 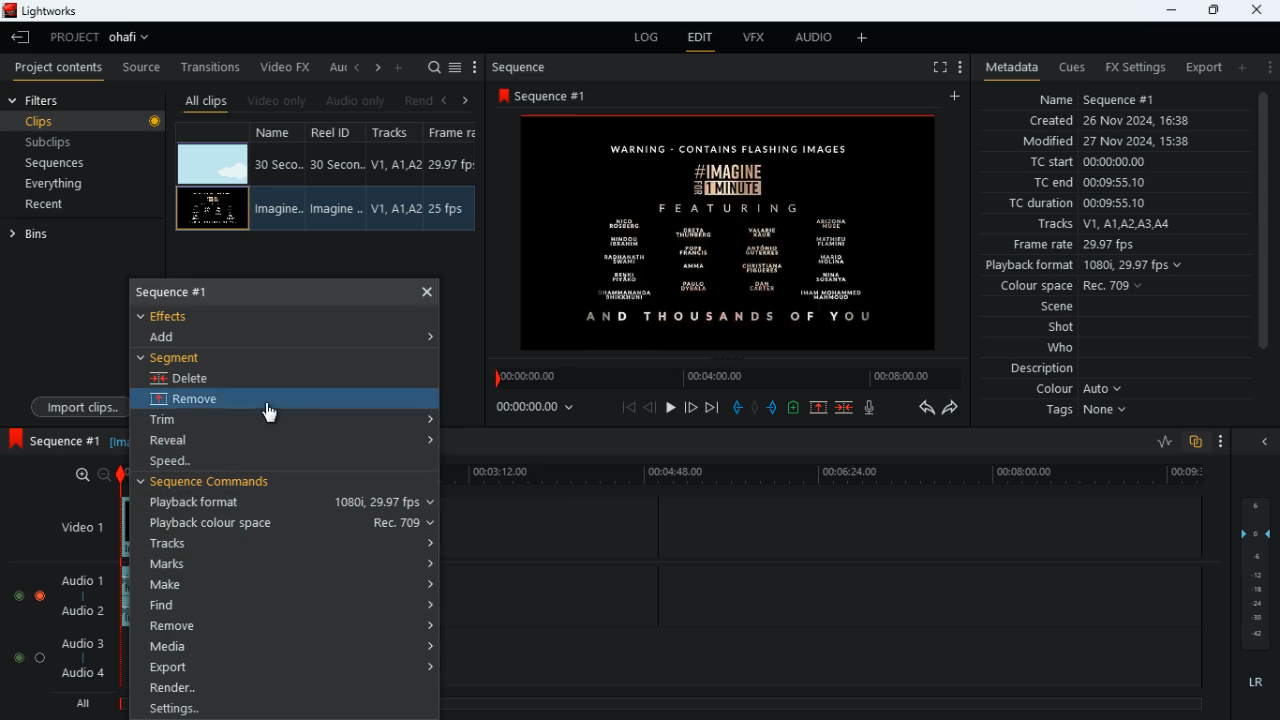 I want to click on mic, so click(x=874, y=409).